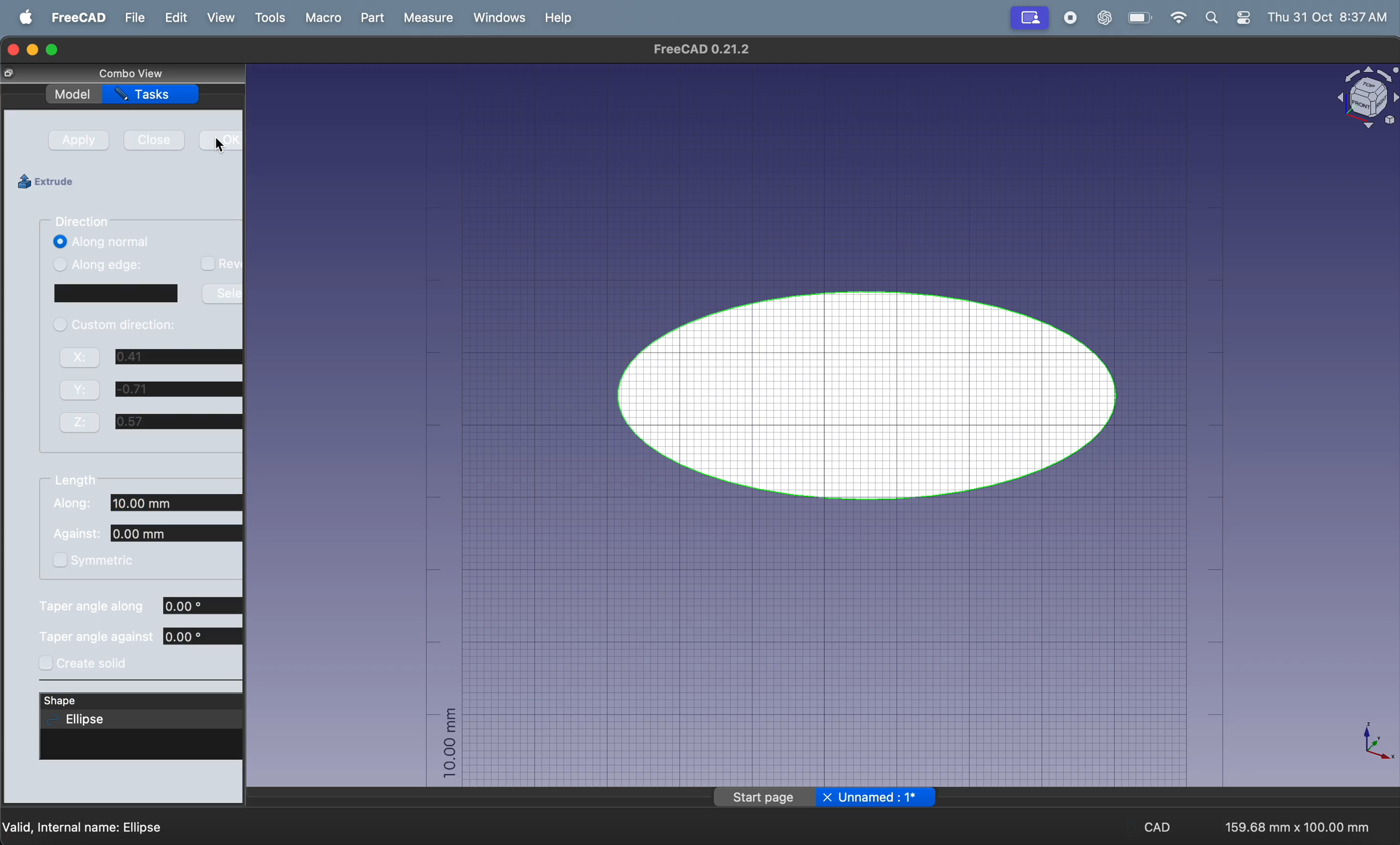 This screenshot has height=845, width=1400. What do you see at coordinates (1370, 743) in the screenshot?
I see `axis` at bounding box center [1370, 743].